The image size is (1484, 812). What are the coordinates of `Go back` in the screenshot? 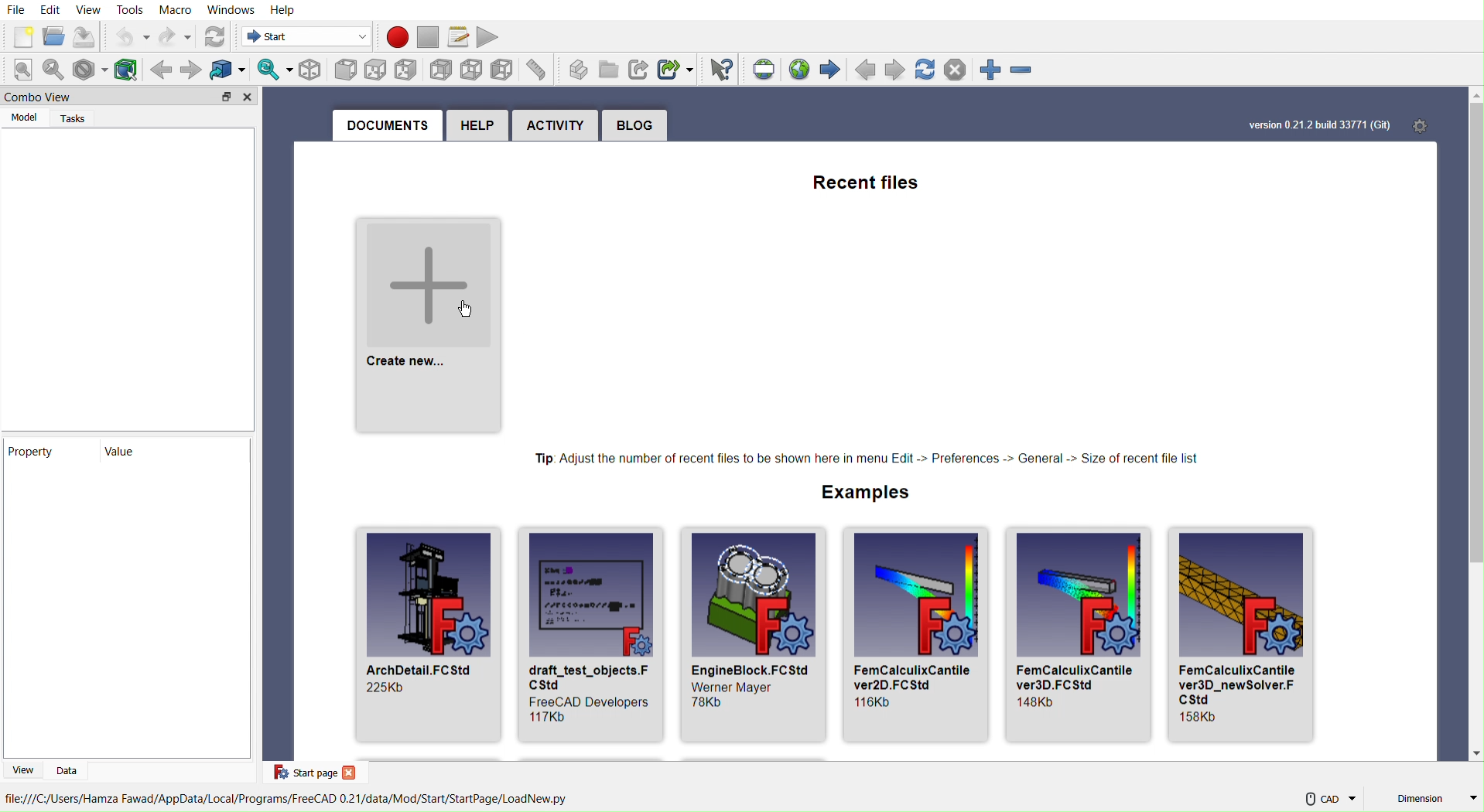 It's located at (161, 70).